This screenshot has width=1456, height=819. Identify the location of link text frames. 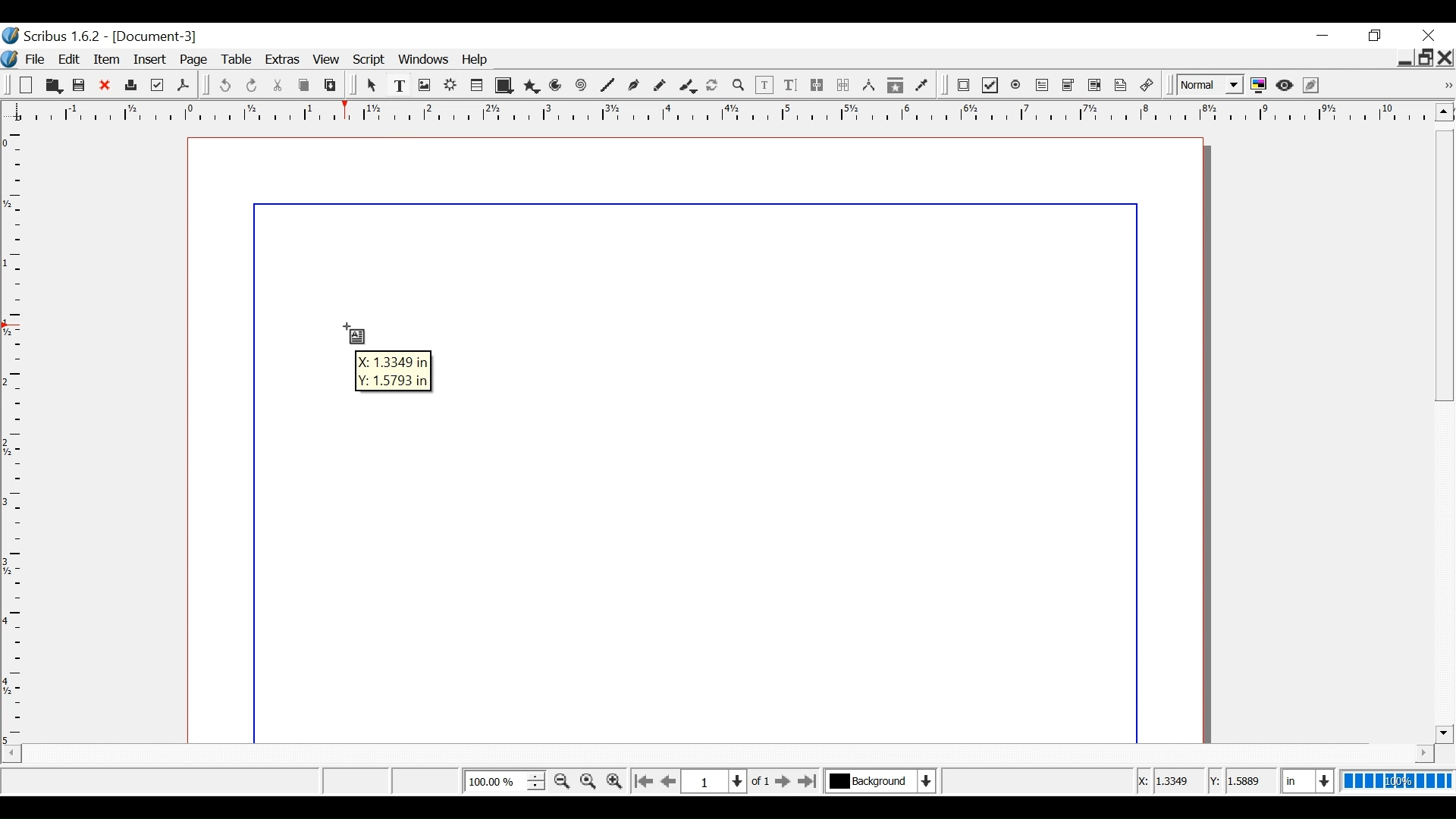
(817, 86).